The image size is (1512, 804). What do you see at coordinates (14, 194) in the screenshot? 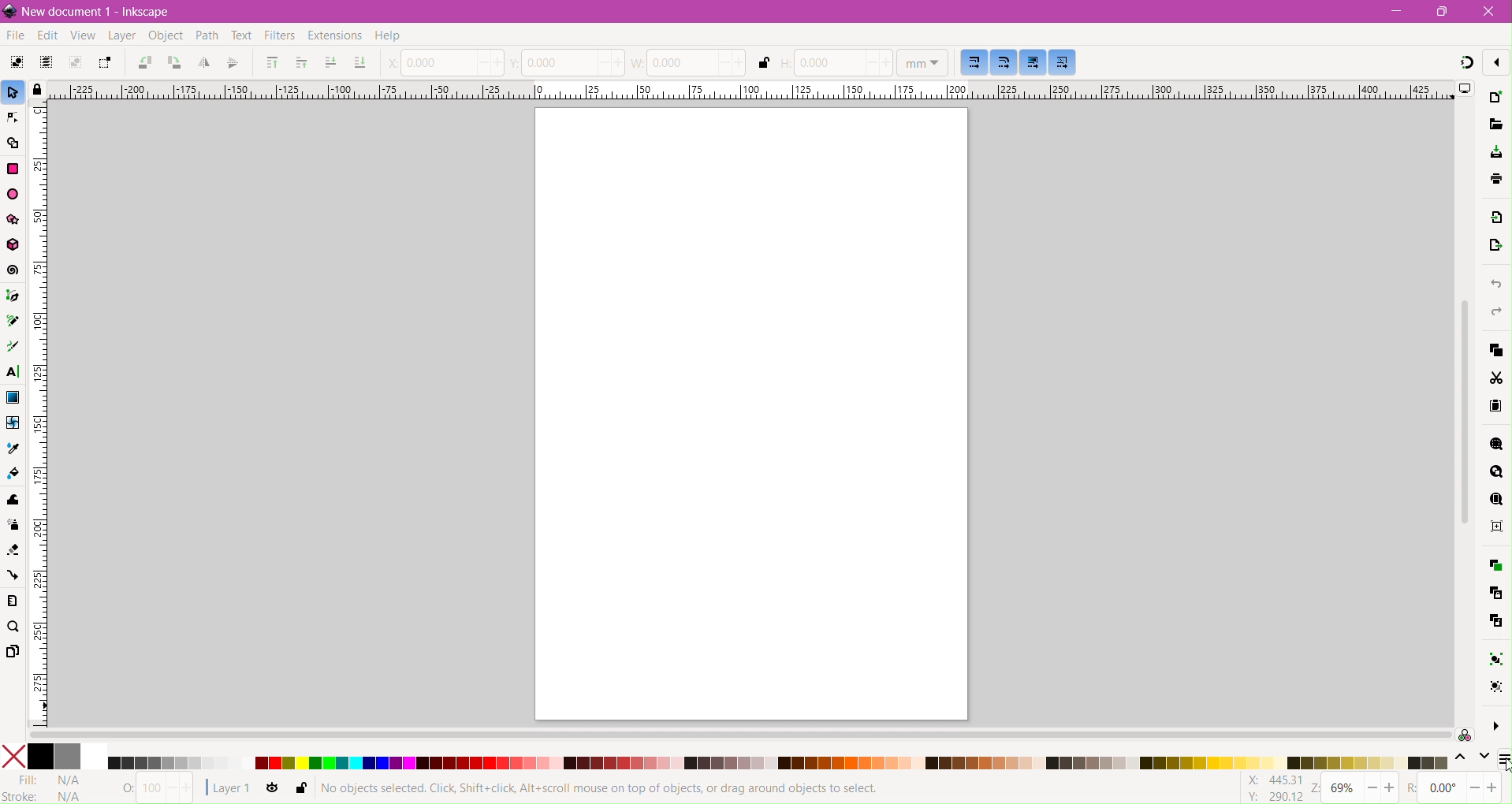
I see `Ellipse/Arc Tool` at bounding box center [14, 194].